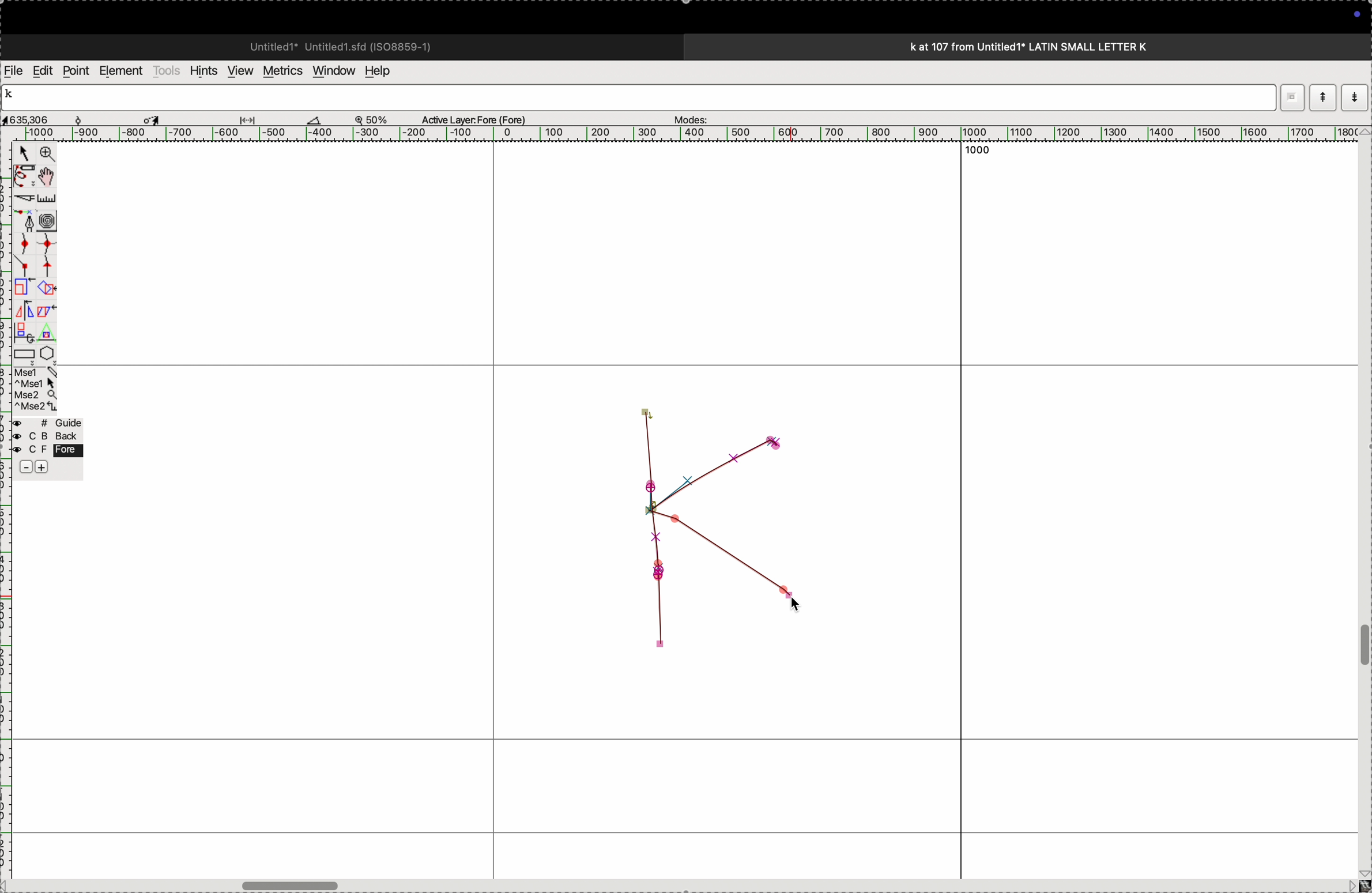 Image resolution: width=1372 pixels, height=893 pixels. What do you see at coordinates (58, 219) in the screenshot?
I see `cirlcels` at bounding box center [58, 219].